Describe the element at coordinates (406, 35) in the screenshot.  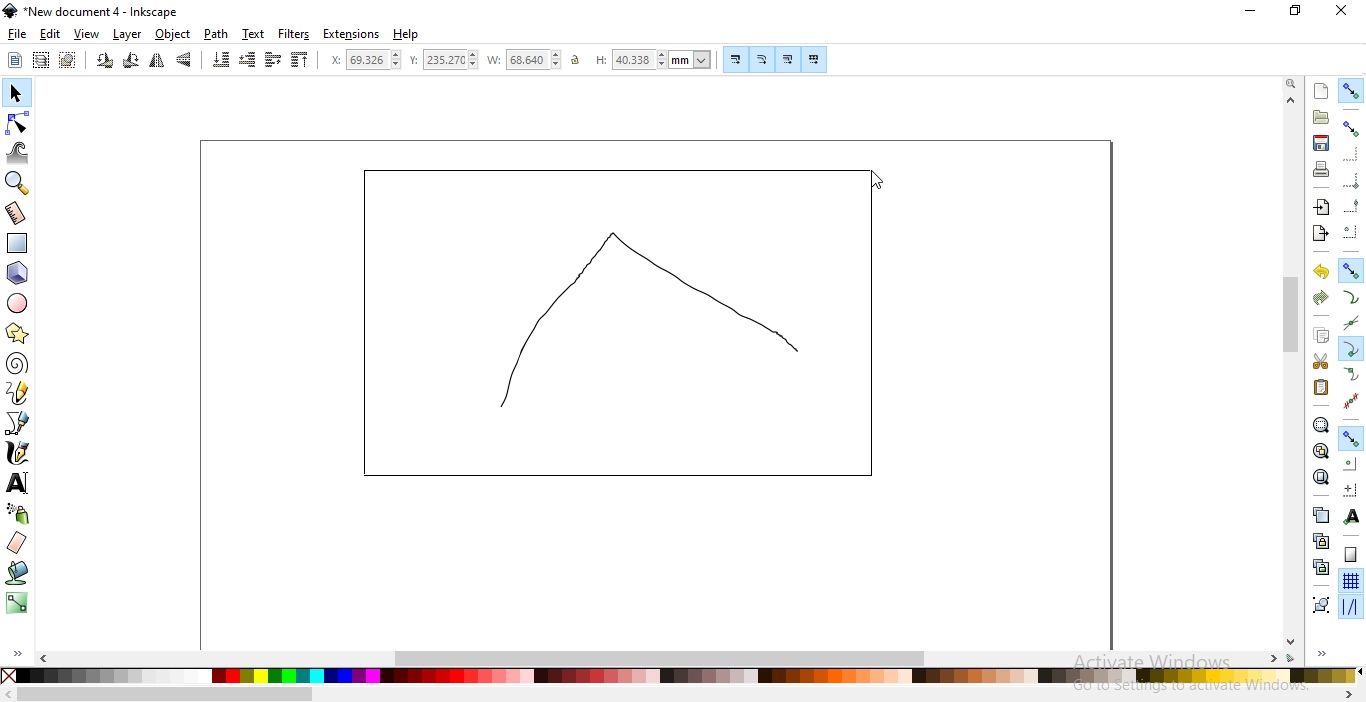
I see `help` at that location.